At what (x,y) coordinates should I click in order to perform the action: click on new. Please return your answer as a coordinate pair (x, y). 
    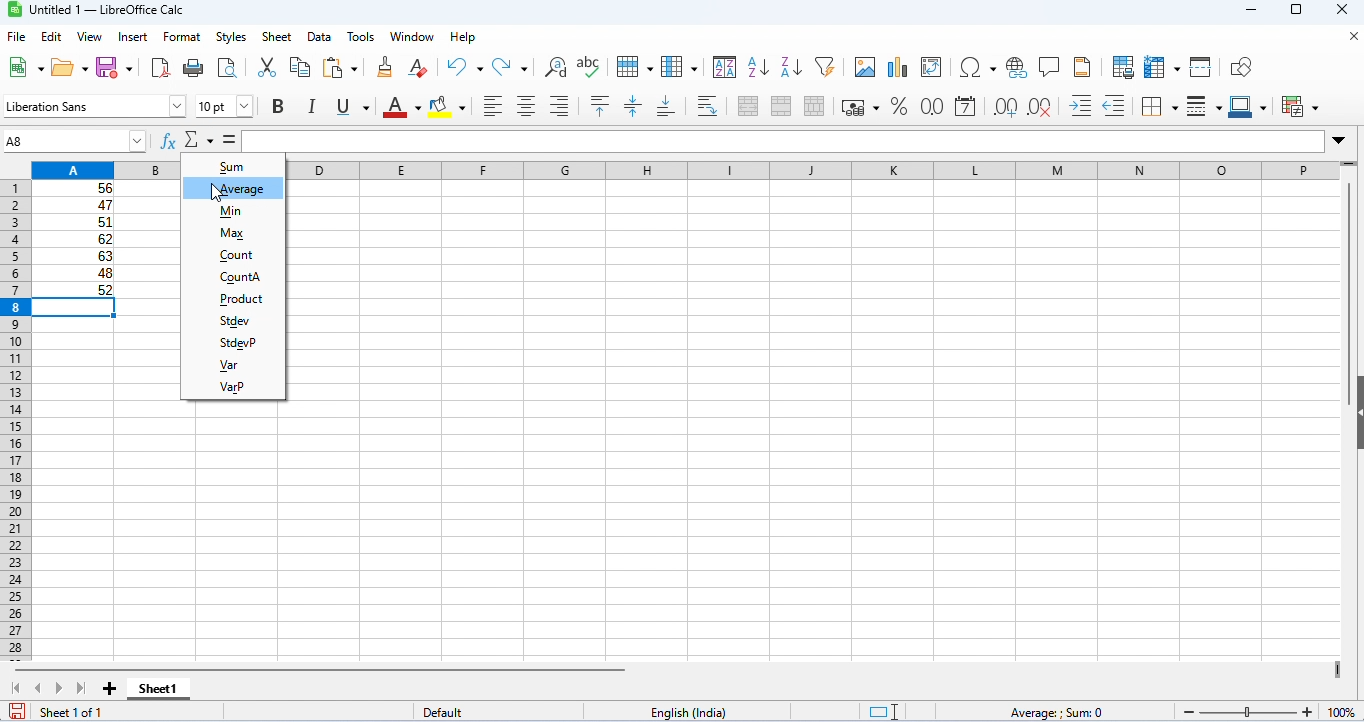
    Looking at the image, I should click on (20, 68).